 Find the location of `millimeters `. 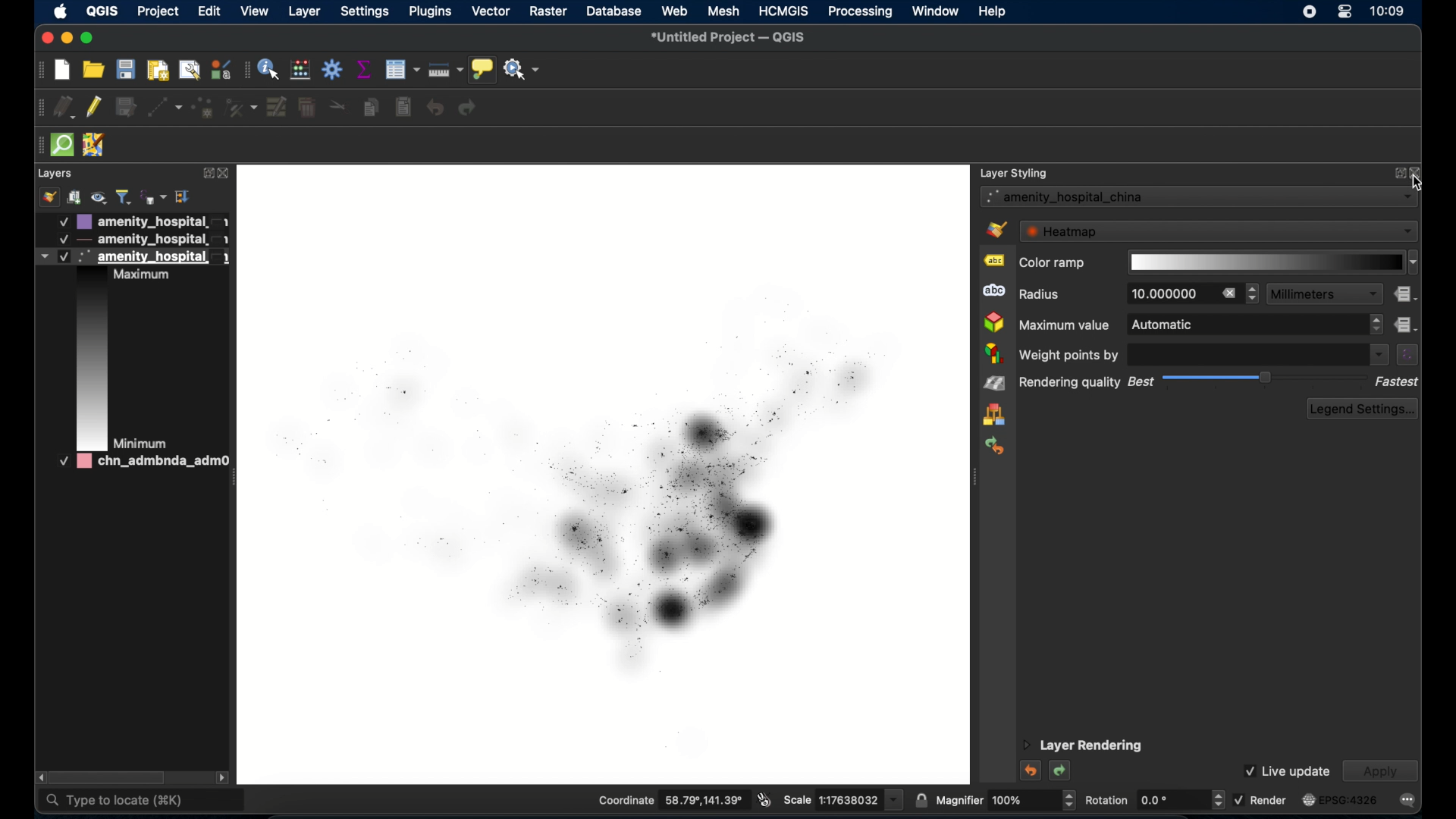

millimeters  is located at coordinates (1325, 294).